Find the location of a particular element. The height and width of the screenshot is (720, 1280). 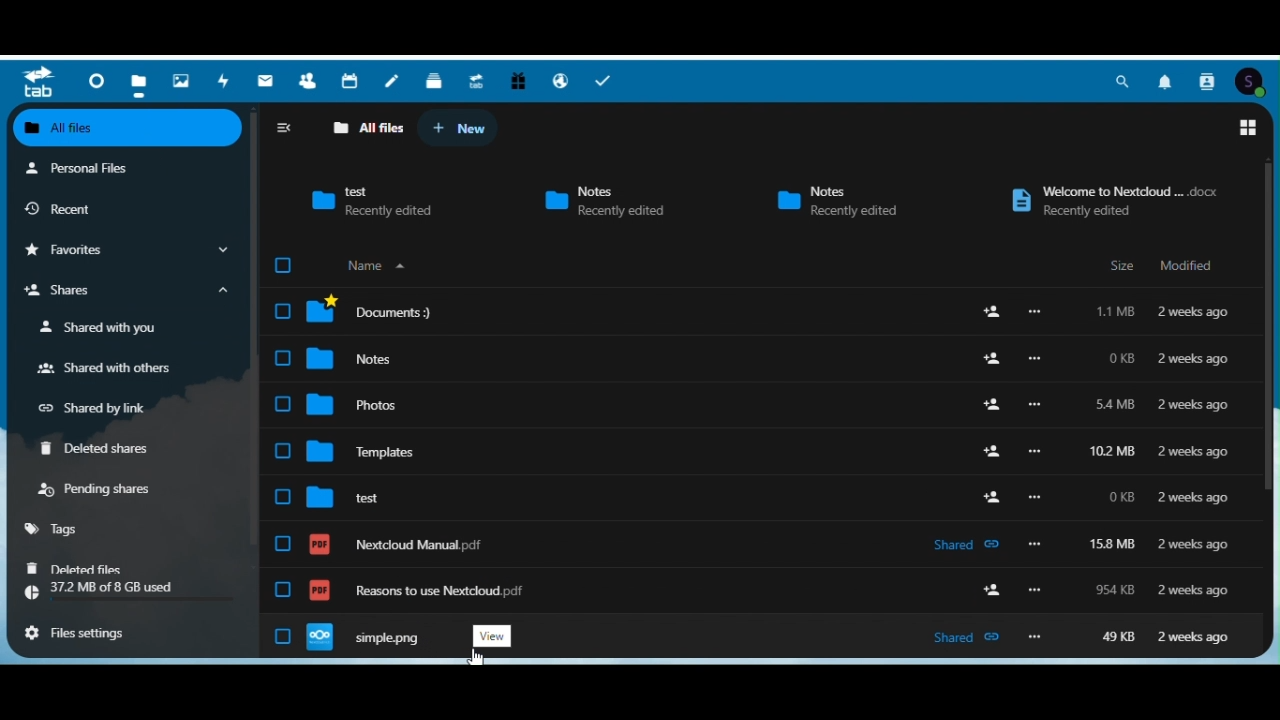

All files is located at coordinates (367, 128).